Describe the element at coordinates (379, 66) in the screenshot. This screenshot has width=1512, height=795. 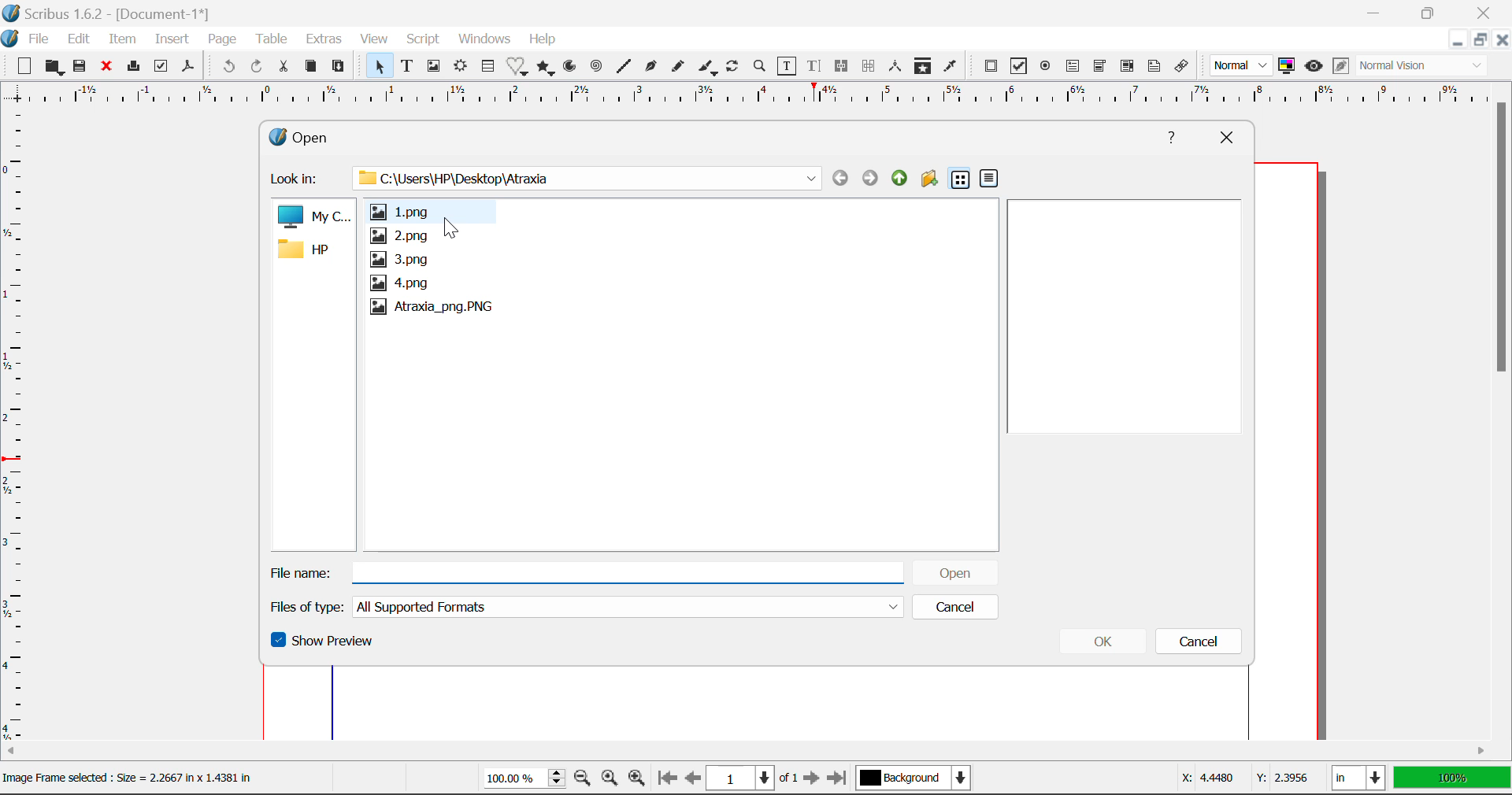
I see `Select` at that location.